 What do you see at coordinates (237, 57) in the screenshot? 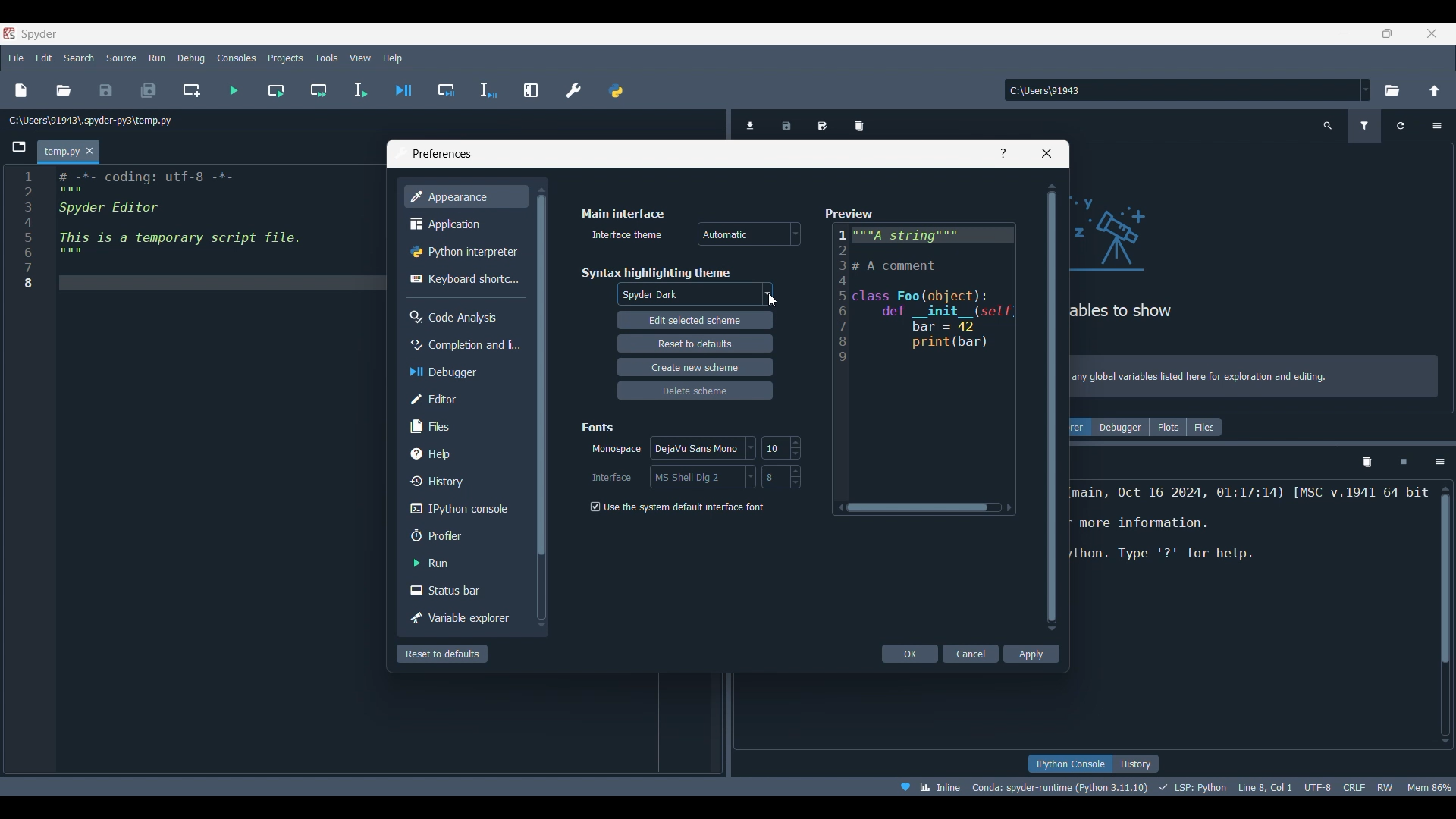
I see `Consoles menu` at bounding box center [237, 57].